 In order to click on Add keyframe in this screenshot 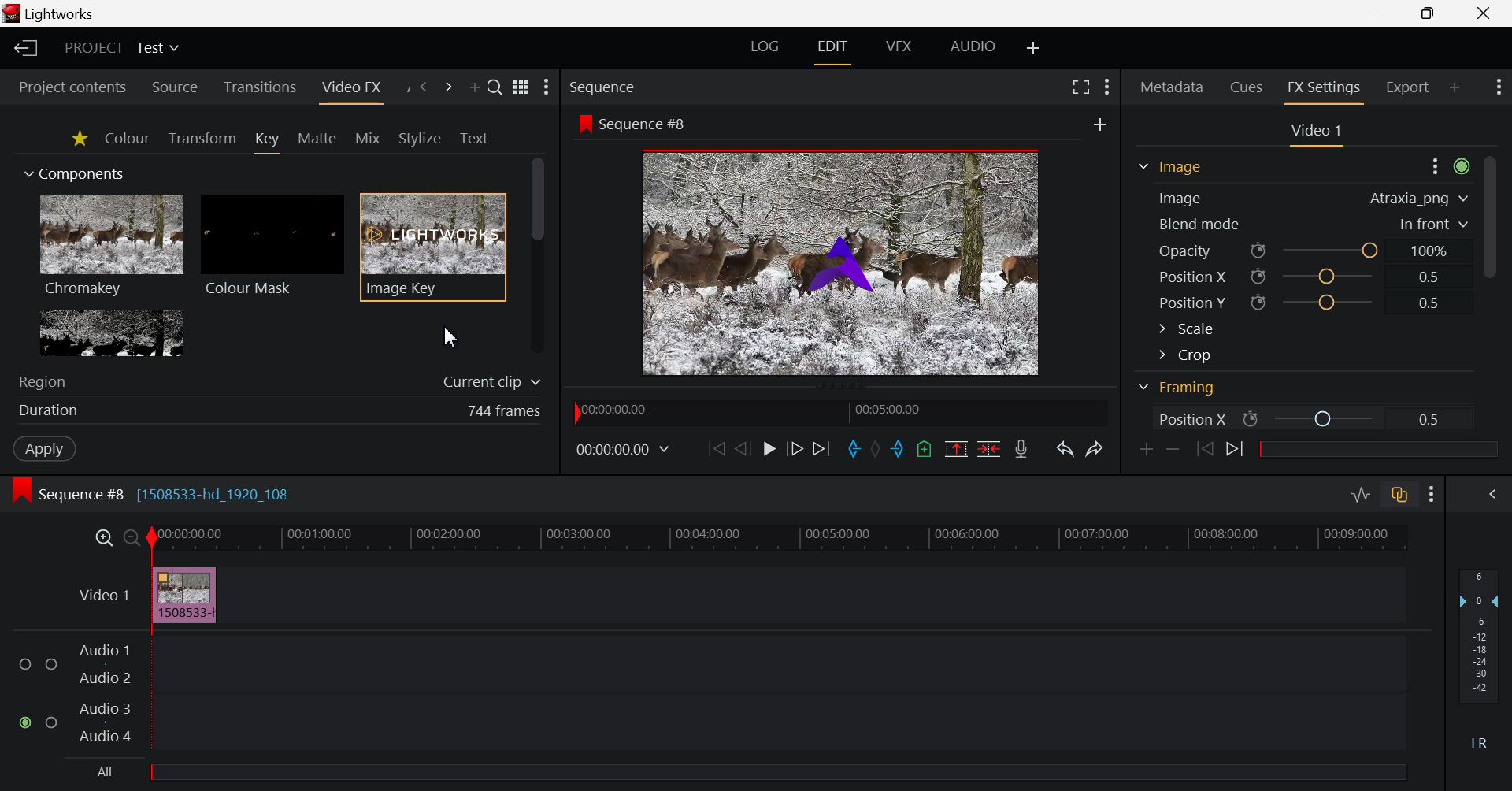, I will do `click(1145, 448)`.